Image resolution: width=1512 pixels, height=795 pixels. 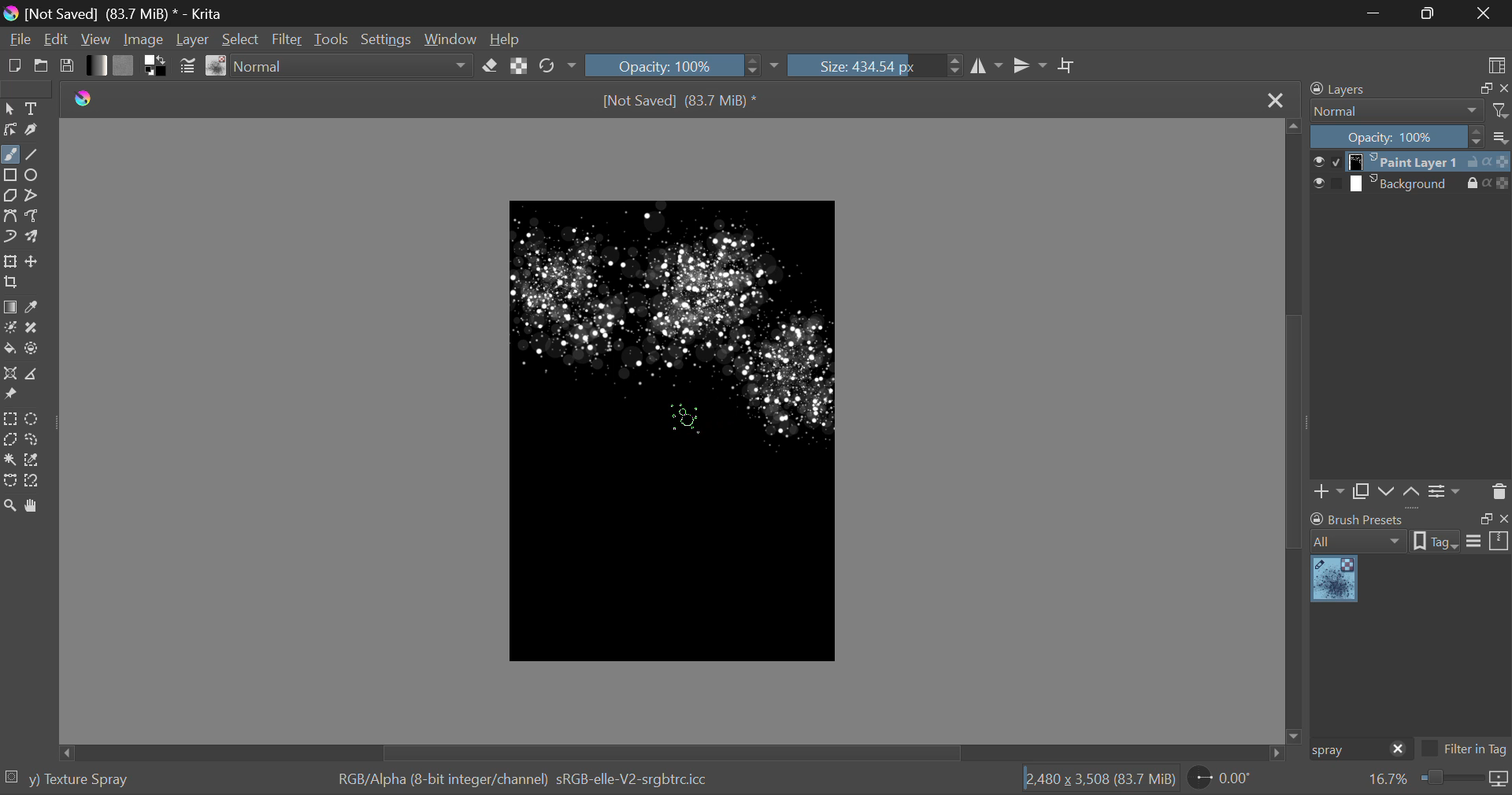 What do you see at coordinates (790, 380) in the screenshot?
I see `Brush Stroke Added` at bounding box center [790, 380].